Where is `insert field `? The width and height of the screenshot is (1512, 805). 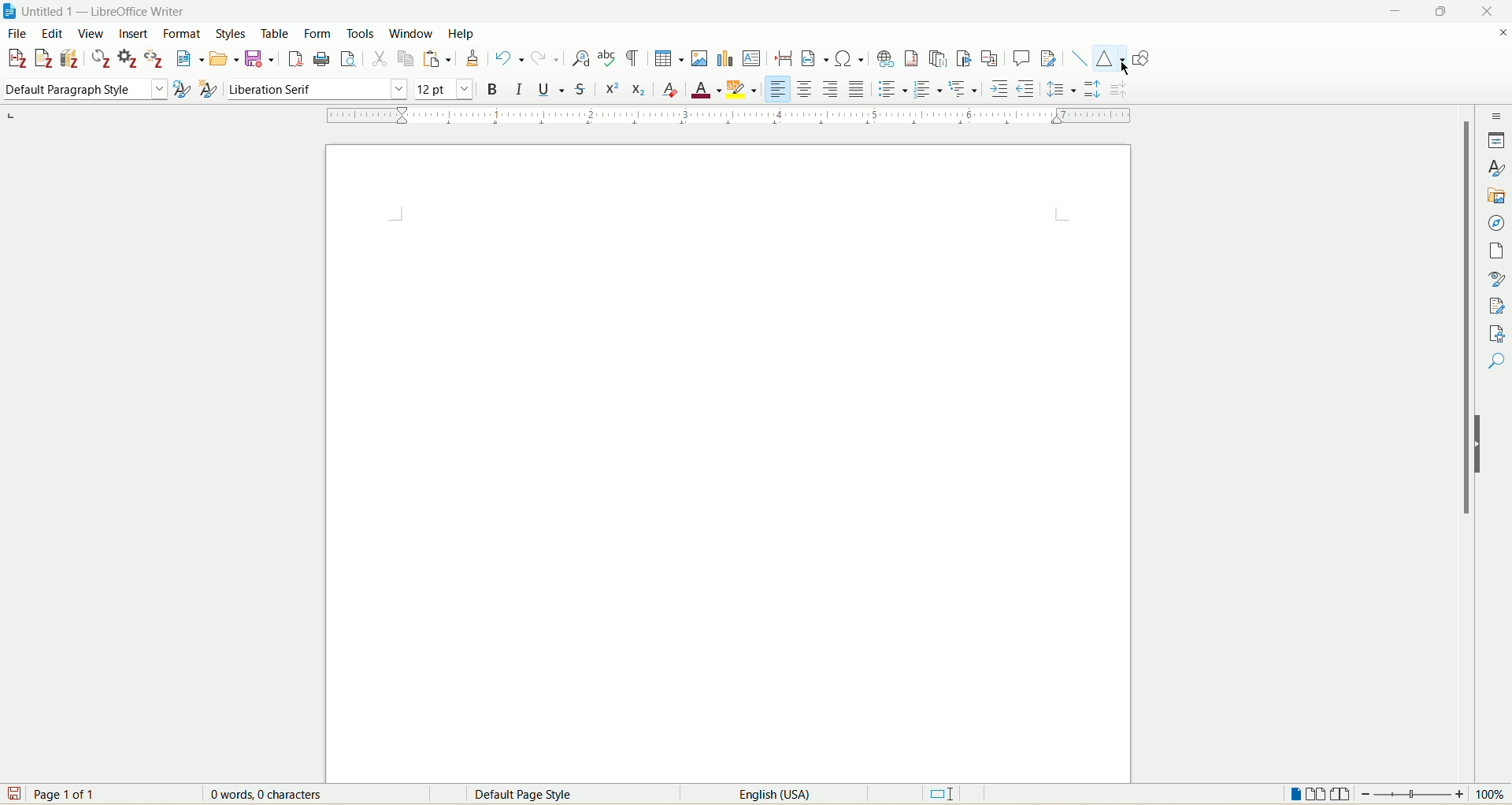 insert field  is located at coordinates (815, 57).